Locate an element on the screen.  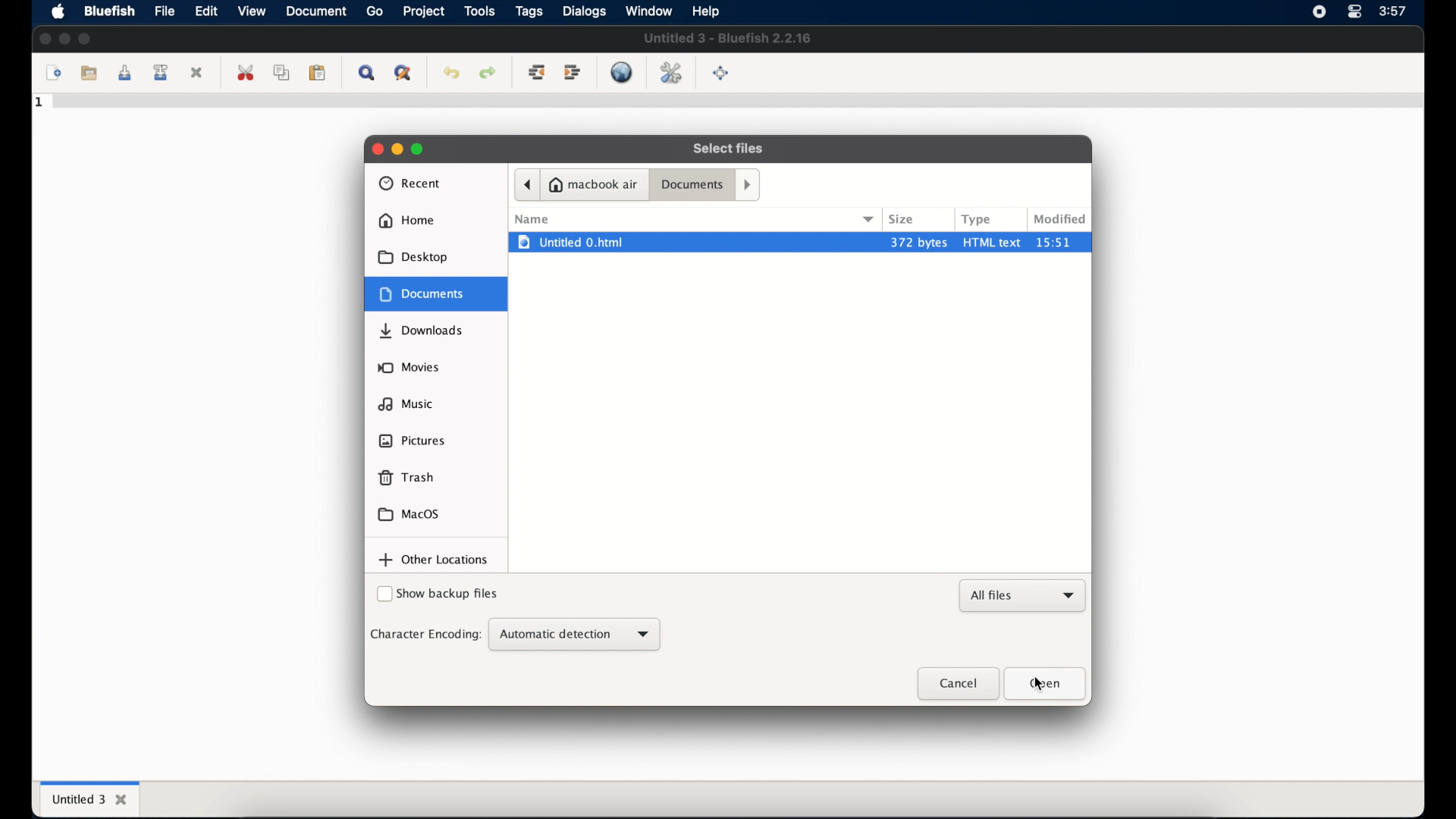
next is located at coordinates (749, 184).